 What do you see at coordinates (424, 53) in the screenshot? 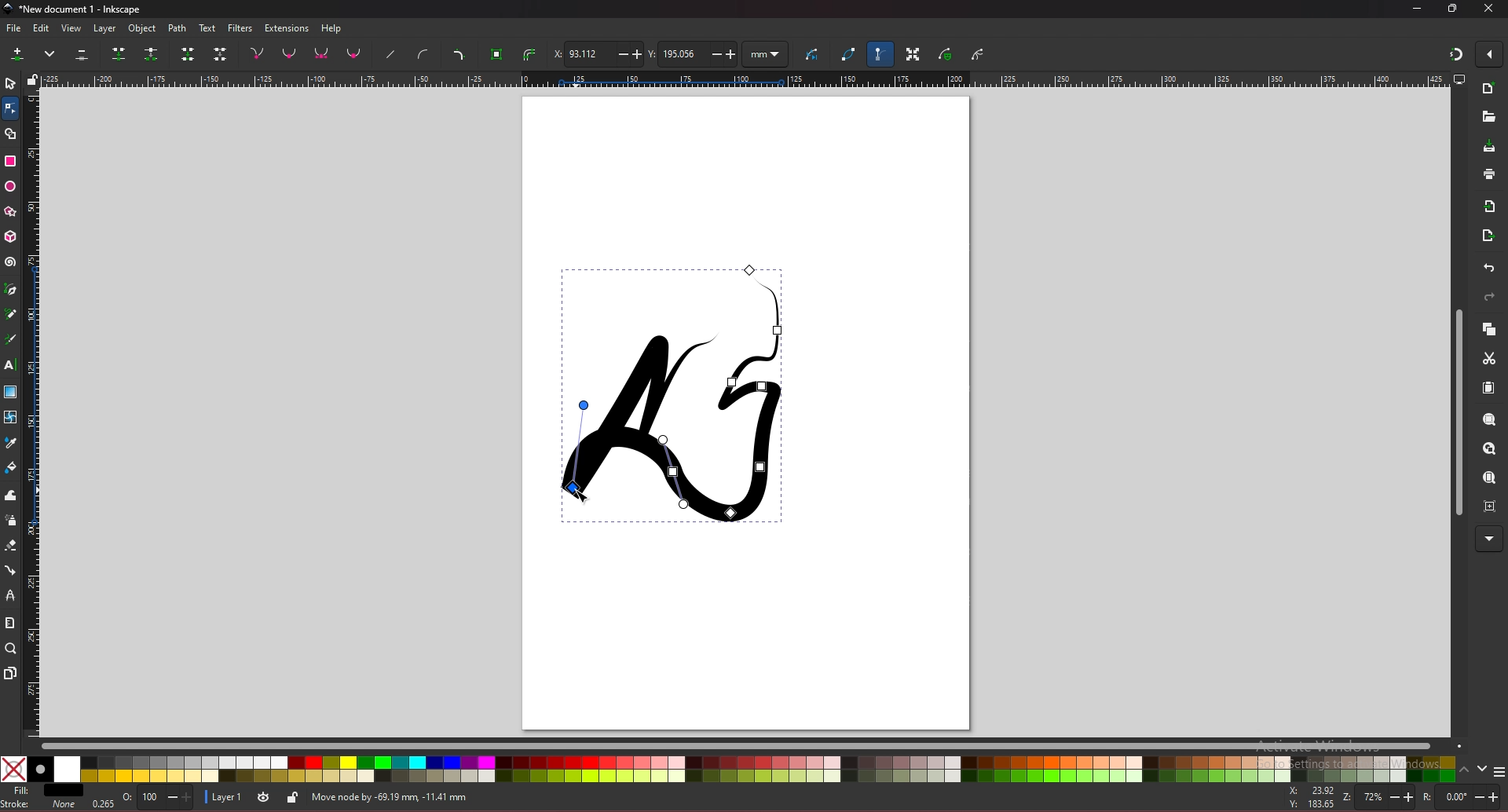
I see `curve handle` at bounding box center [424, 53].